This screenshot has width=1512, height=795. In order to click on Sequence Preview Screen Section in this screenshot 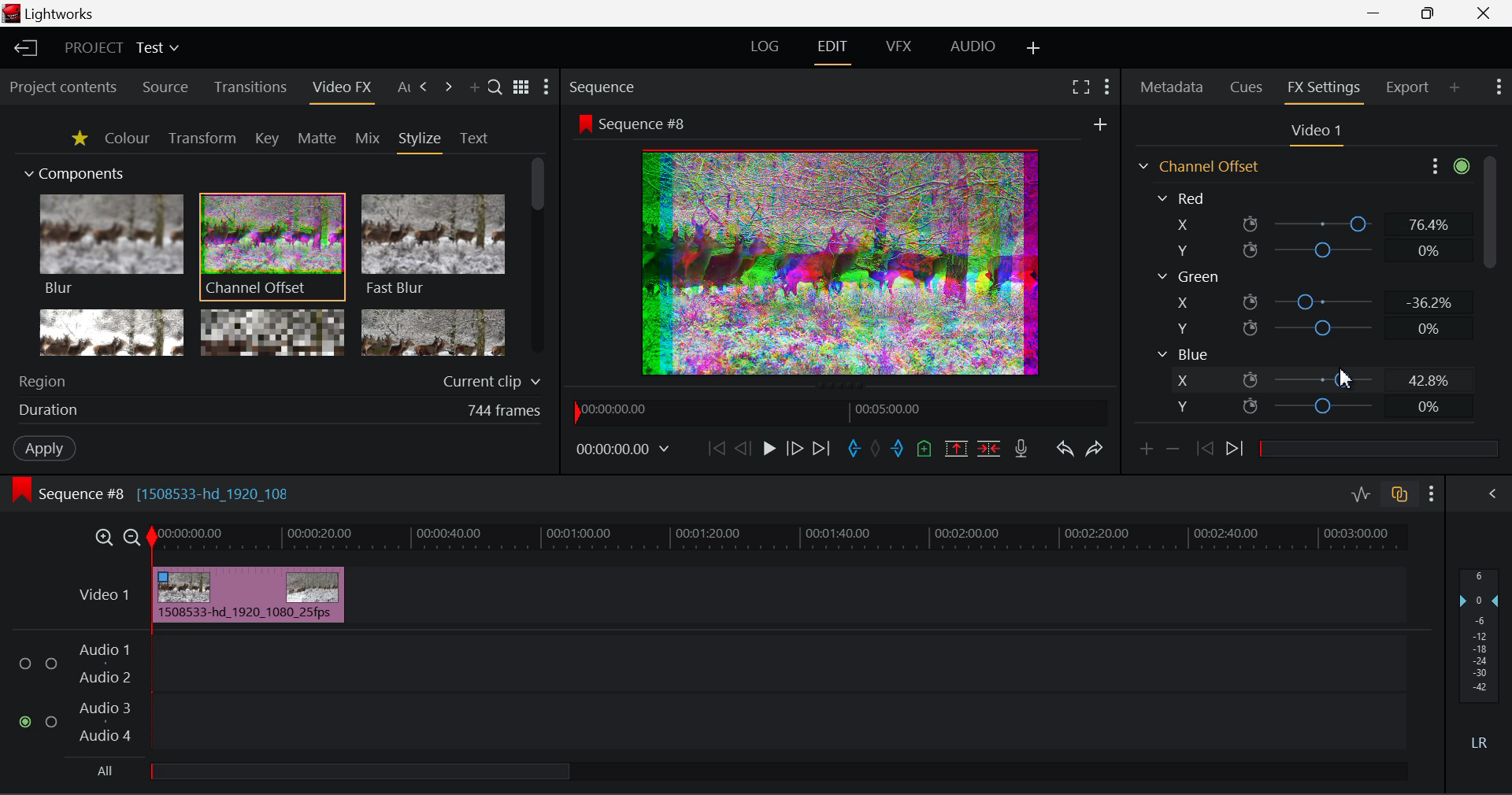, I will do `click(842, 122)`.